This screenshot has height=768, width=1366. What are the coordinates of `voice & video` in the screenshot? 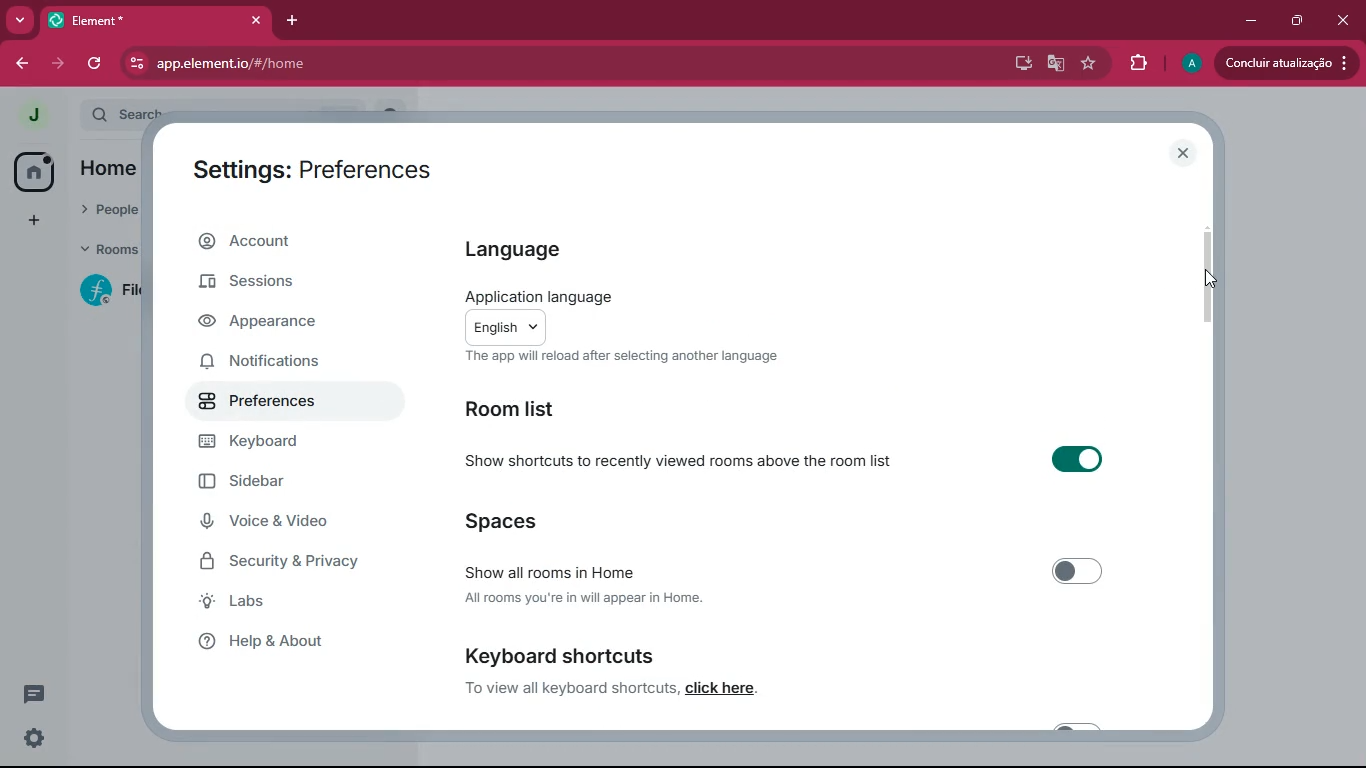 It's located at (296, 524).